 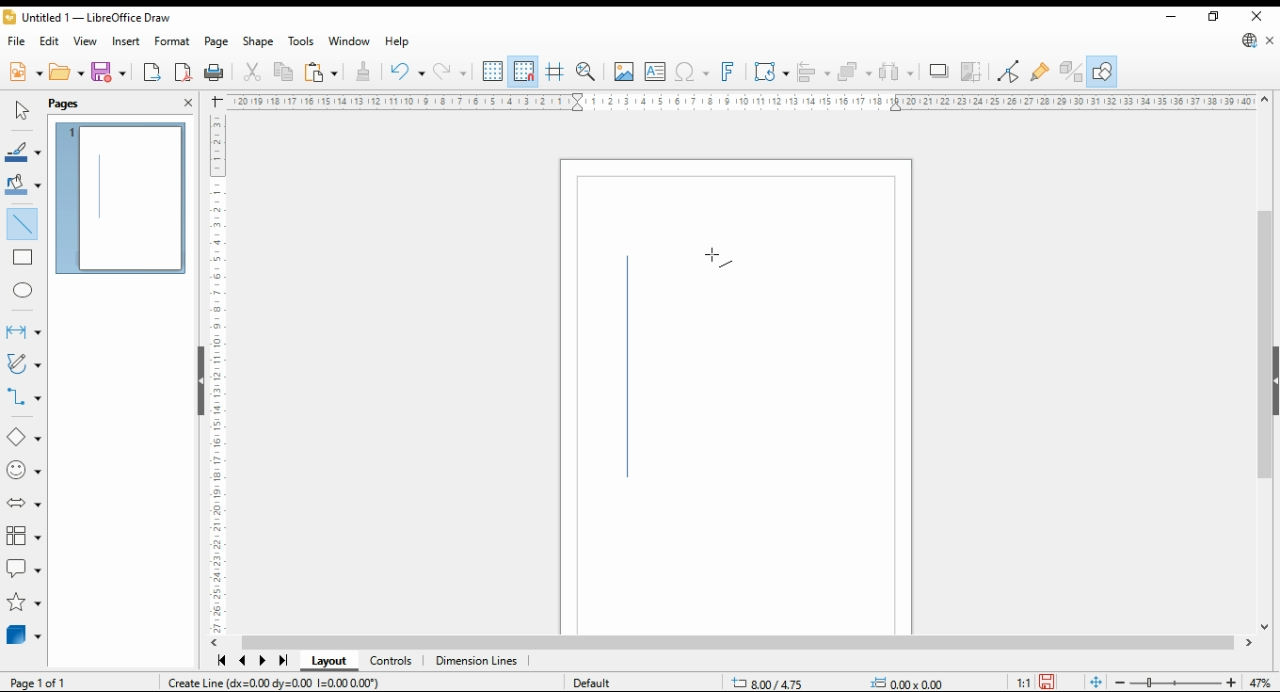 I want to click on select at least three objects to distribute, so click(x=899, y=72).